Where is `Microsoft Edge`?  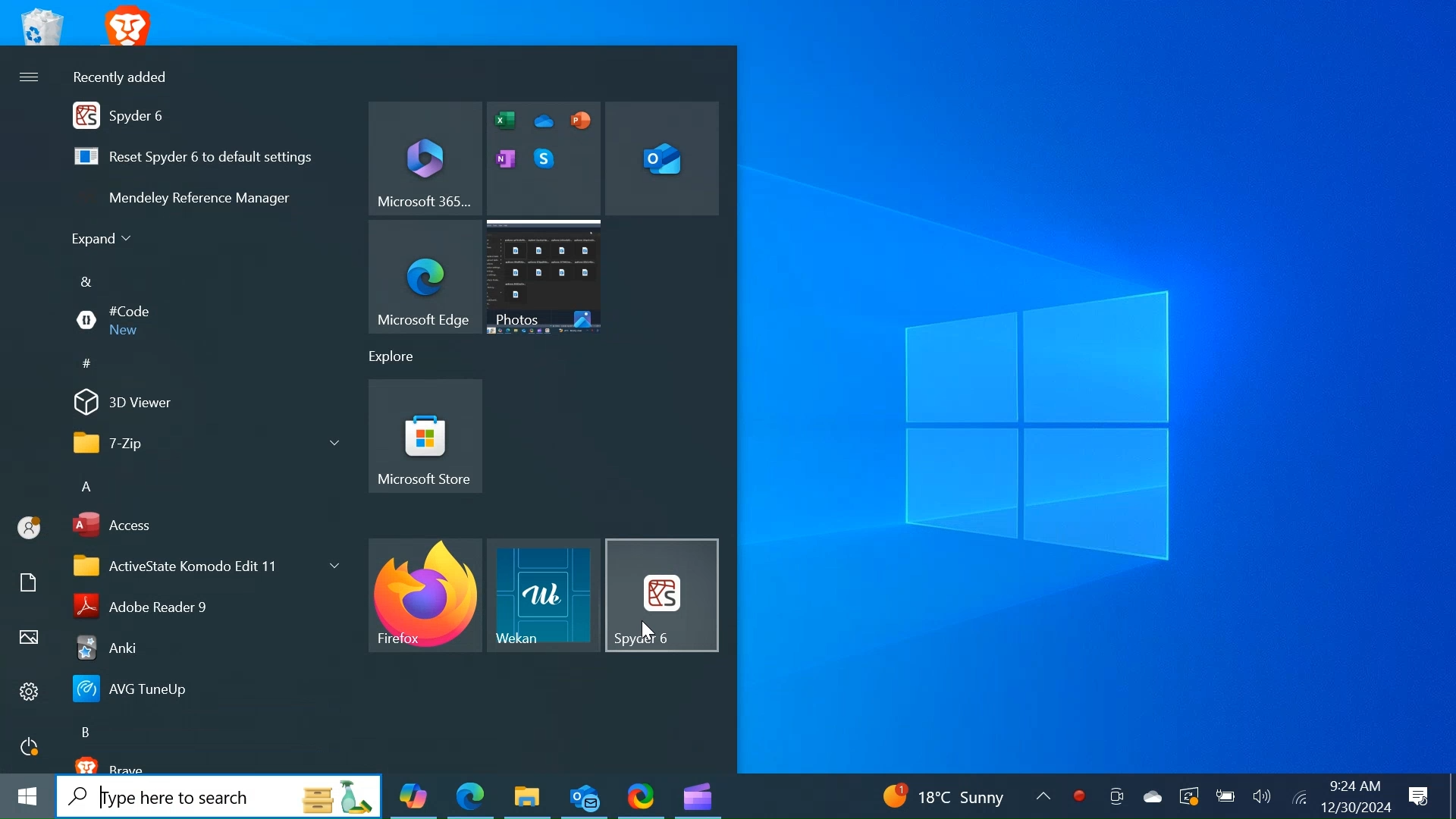 Microsoft Edge is located at coordinates (470, 796).